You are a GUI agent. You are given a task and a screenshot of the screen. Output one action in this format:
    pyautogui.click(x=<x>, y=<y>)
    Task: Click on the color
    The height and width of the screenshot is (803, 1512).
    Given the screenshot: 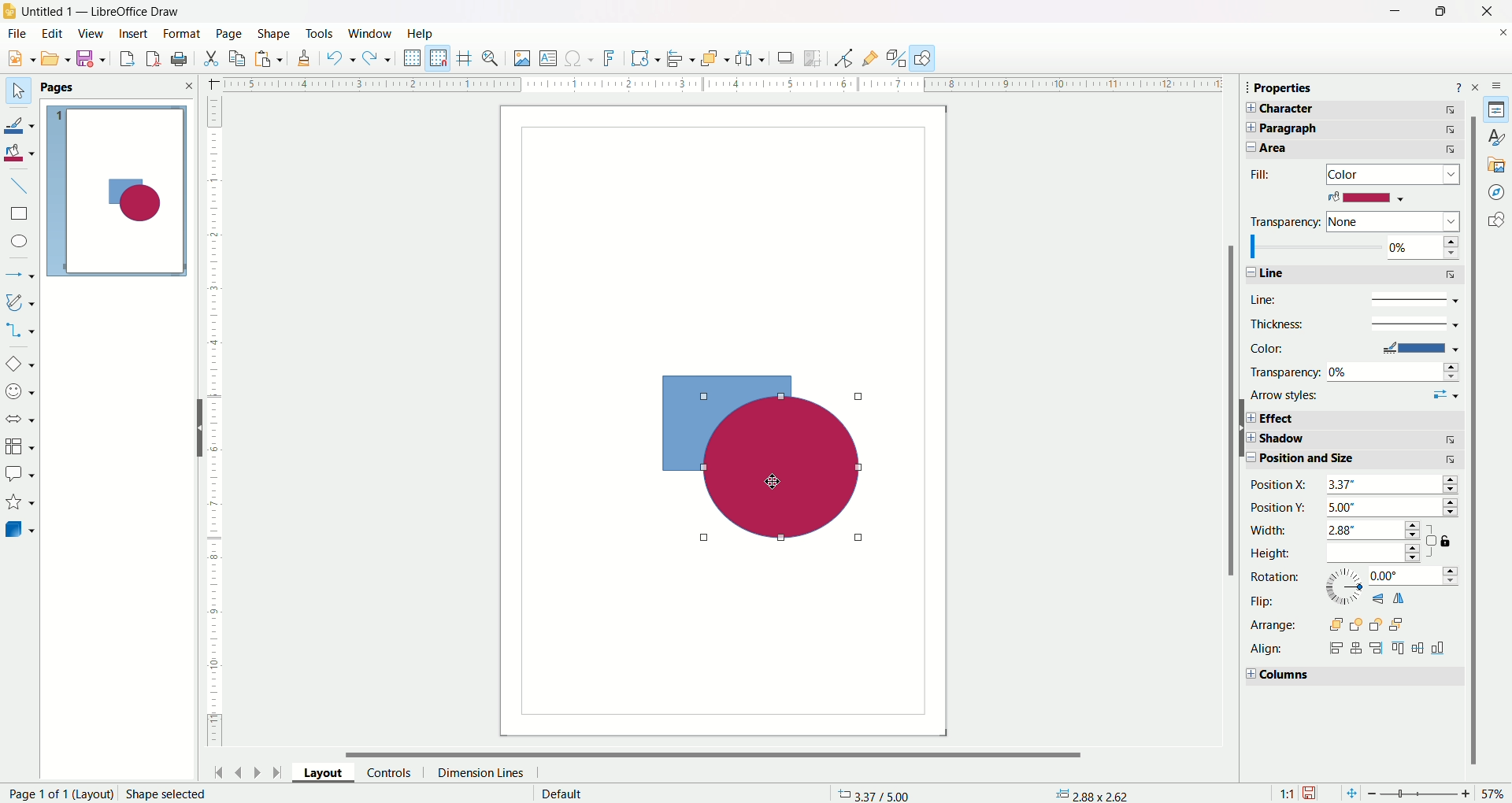 What is the action you would take?
    pyautogui.click(x=1353, y=348)
    